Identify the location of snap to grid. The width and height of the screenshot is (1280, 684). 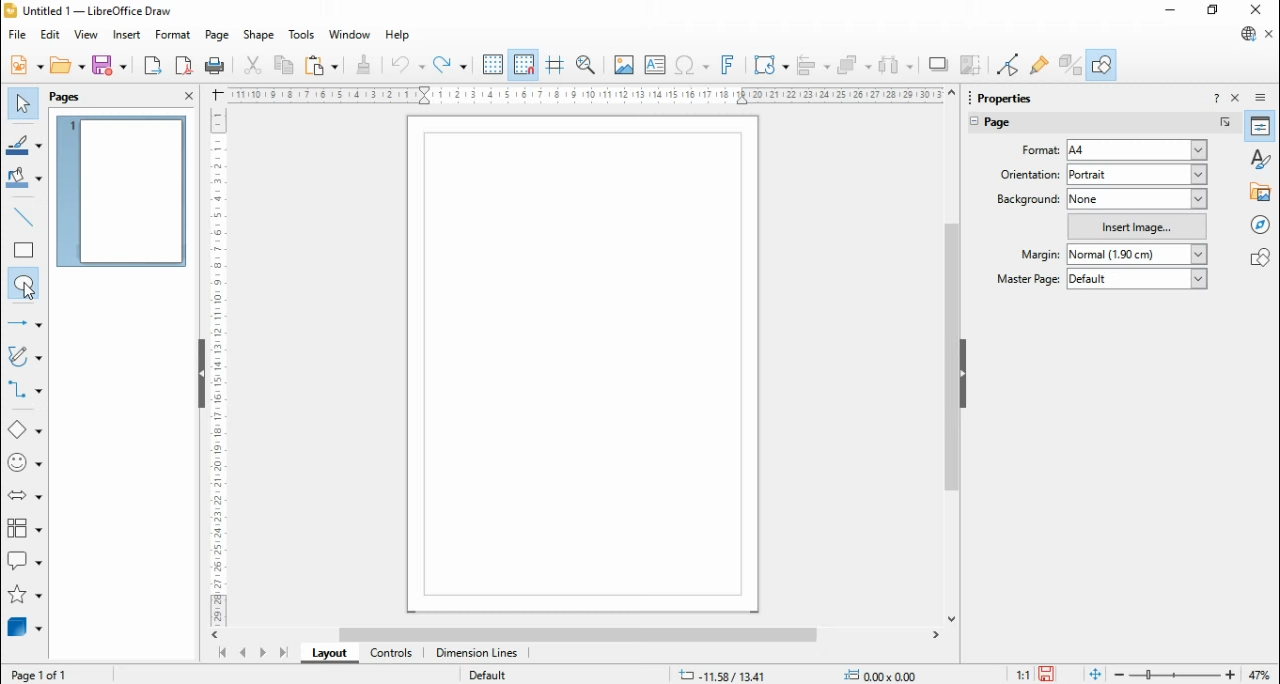
(525, 64).